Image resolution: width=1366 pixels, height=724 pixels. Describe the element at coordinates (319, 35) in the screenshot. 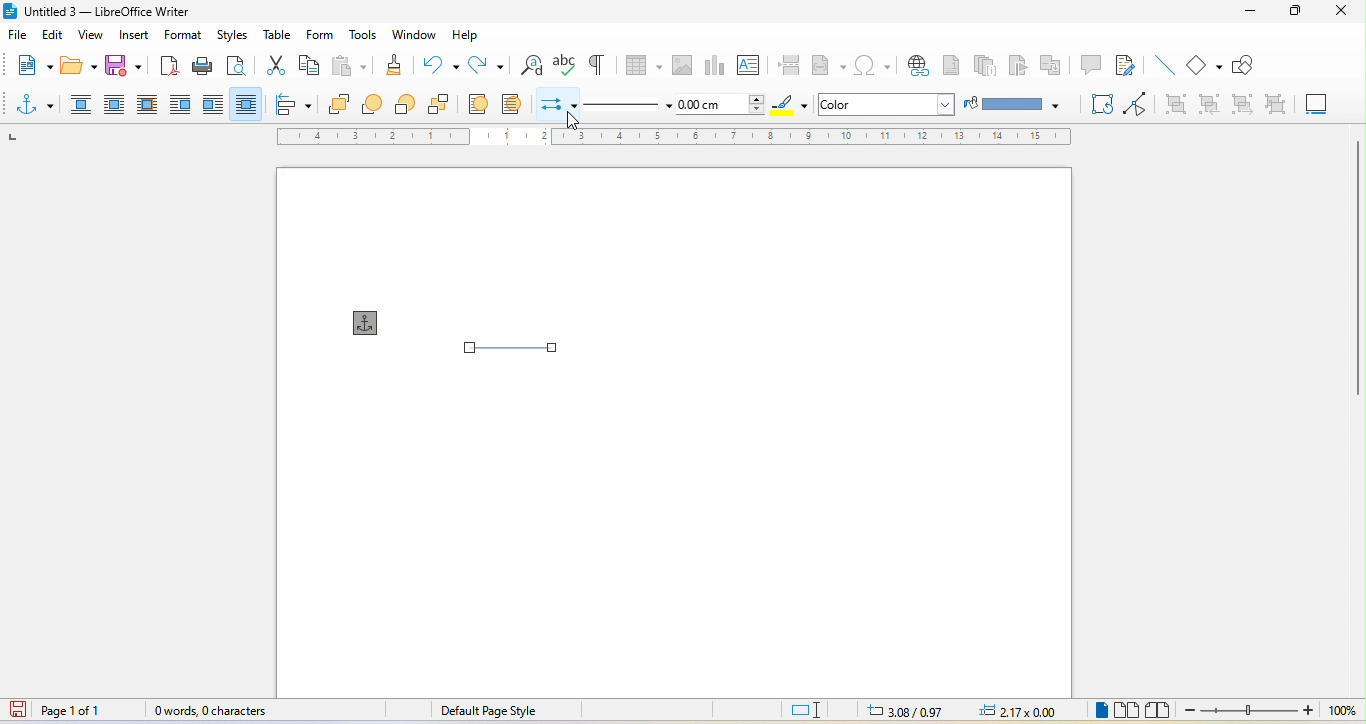

I see `form` at that location.